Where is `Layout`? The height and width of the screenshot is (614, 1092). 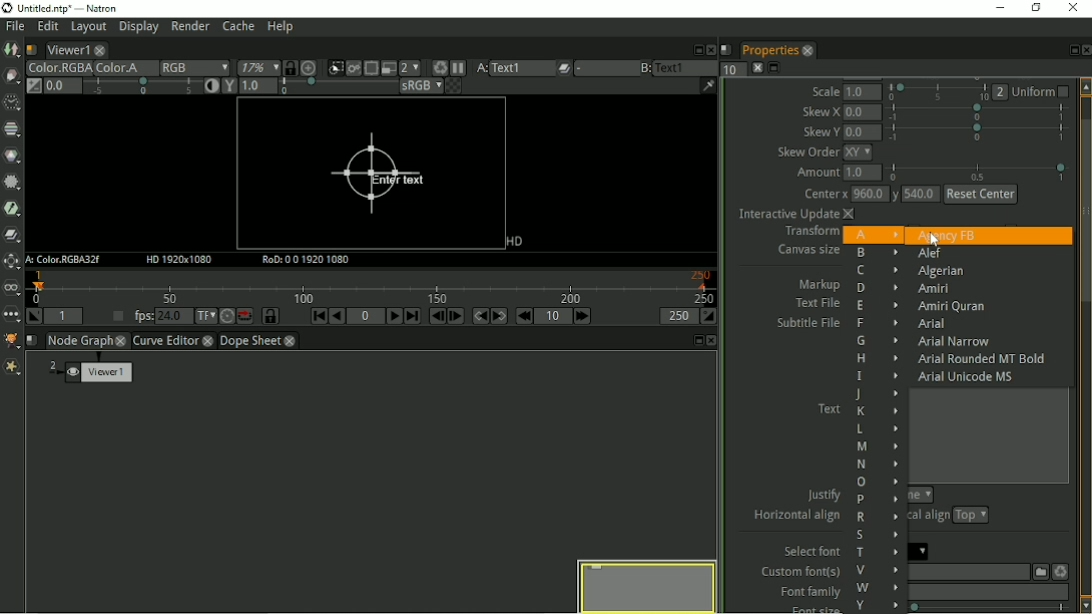 Layout is located at coordinates (87, 29).